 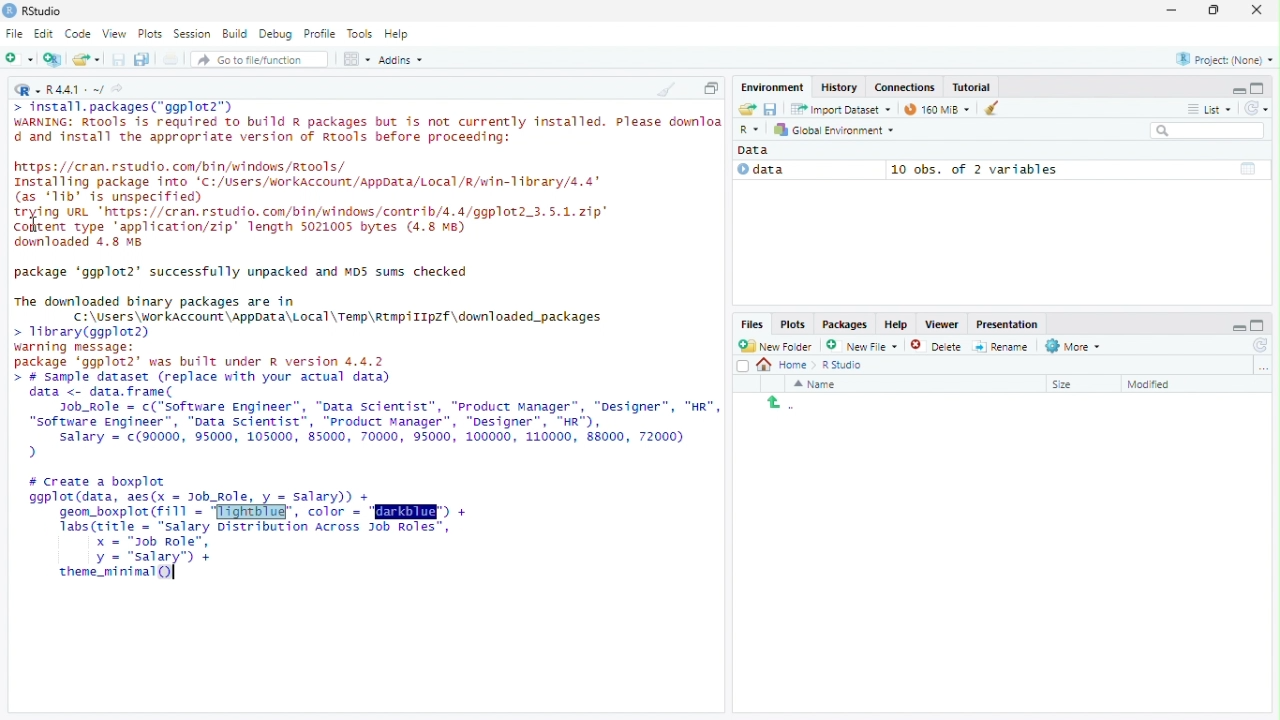 What do you see at coordinates (401, 59) in the screenshot?
I see `Addins` at bounding box center [401, 59].